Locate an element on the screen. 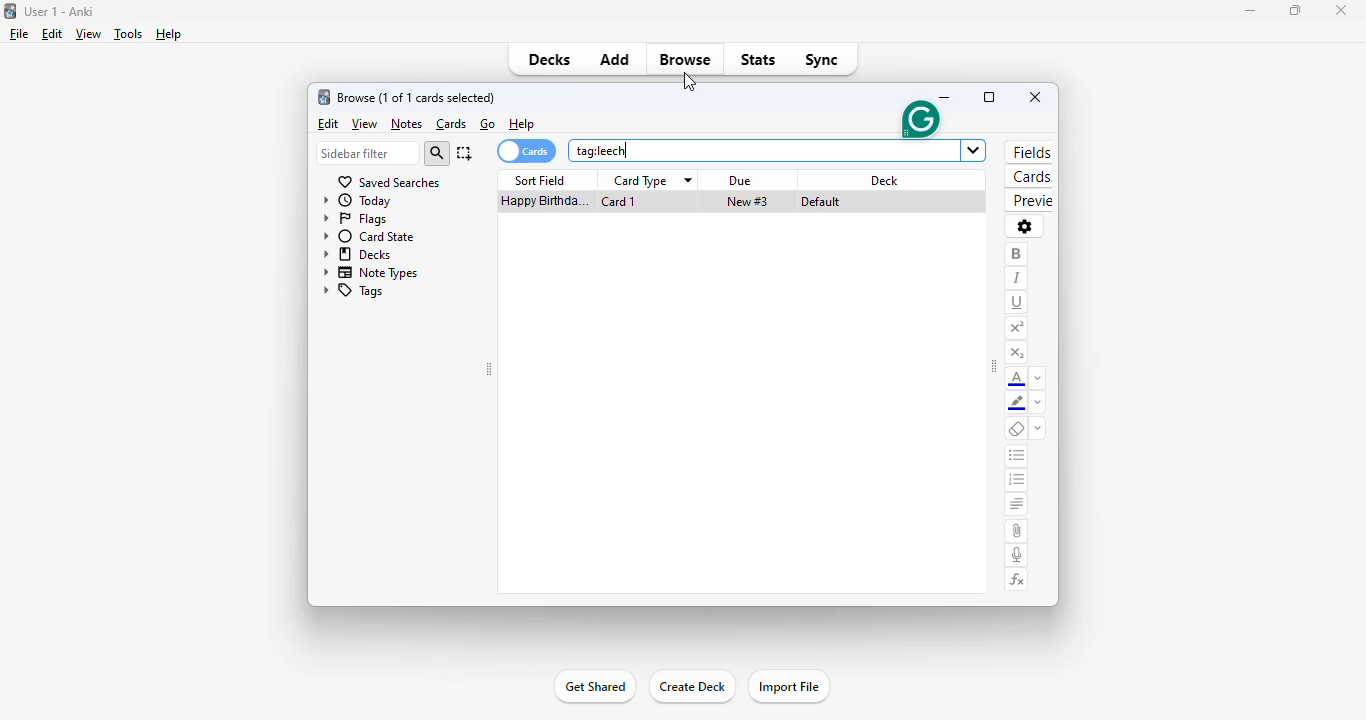 The image size is (1366, 720). view is located at coordinates (366, 124).